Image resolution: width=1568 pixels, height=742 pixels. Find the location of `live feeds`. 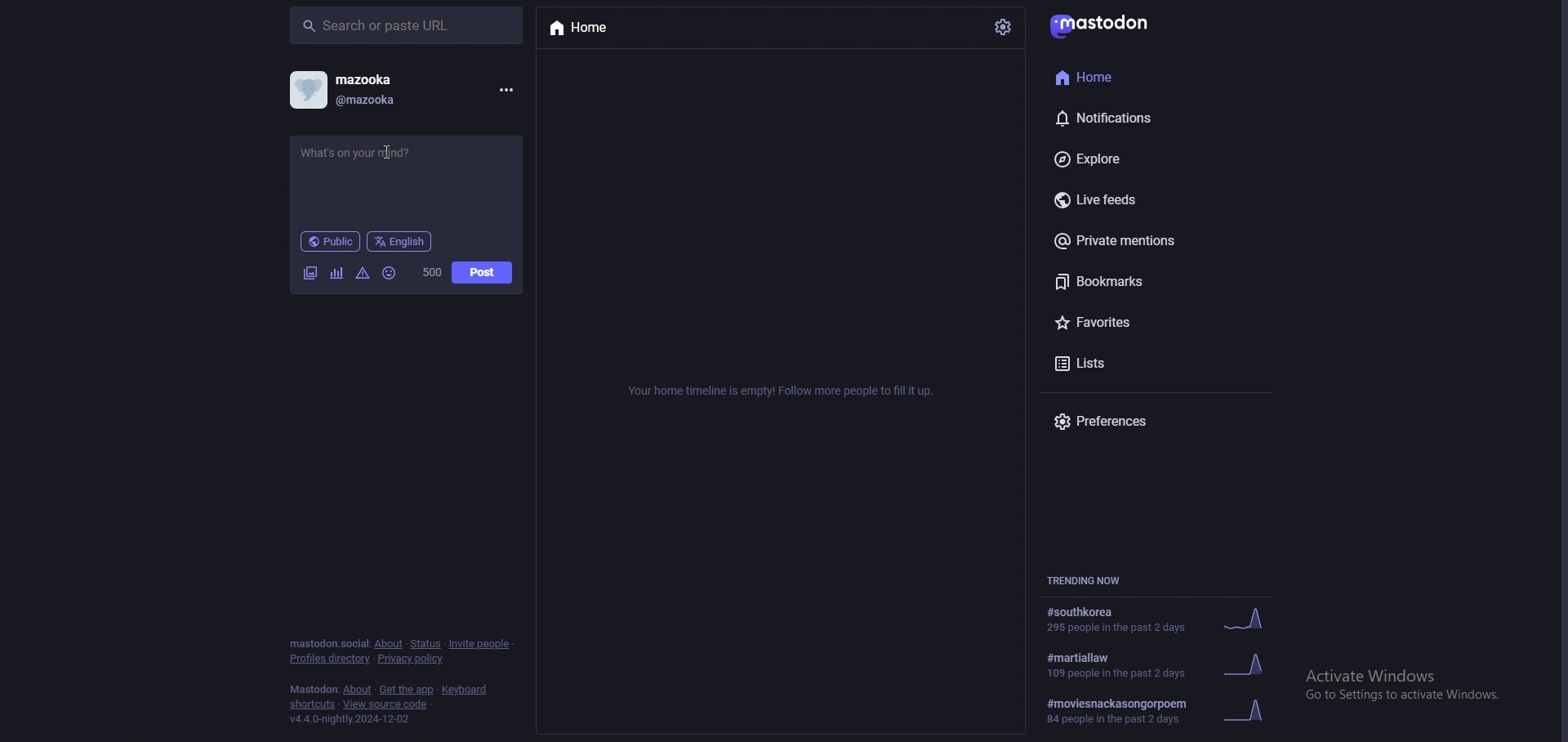

live feeds is located at coordinates (1132, 199).